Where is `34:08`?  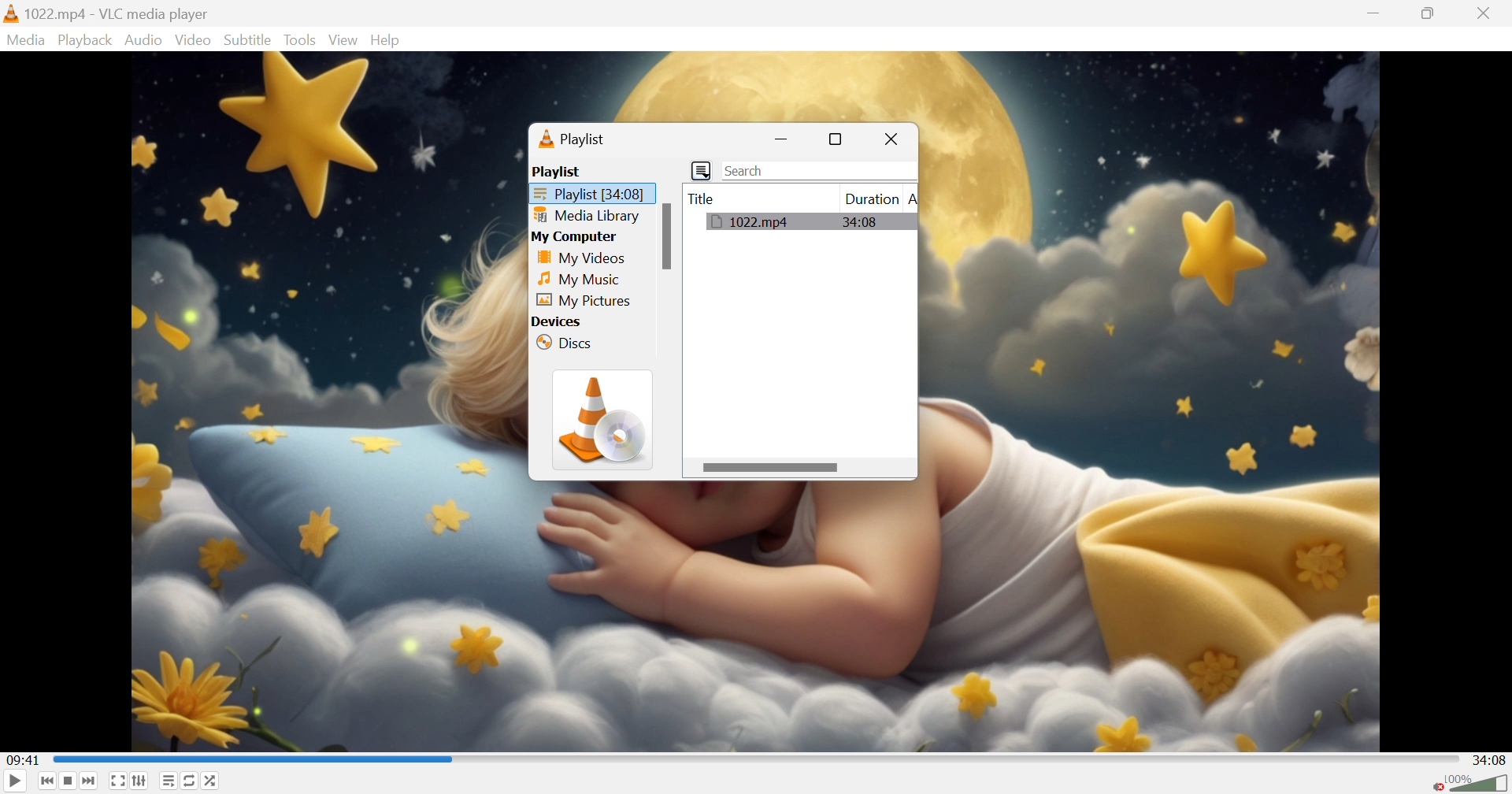 34:08 is located at coordinates (862, 221).